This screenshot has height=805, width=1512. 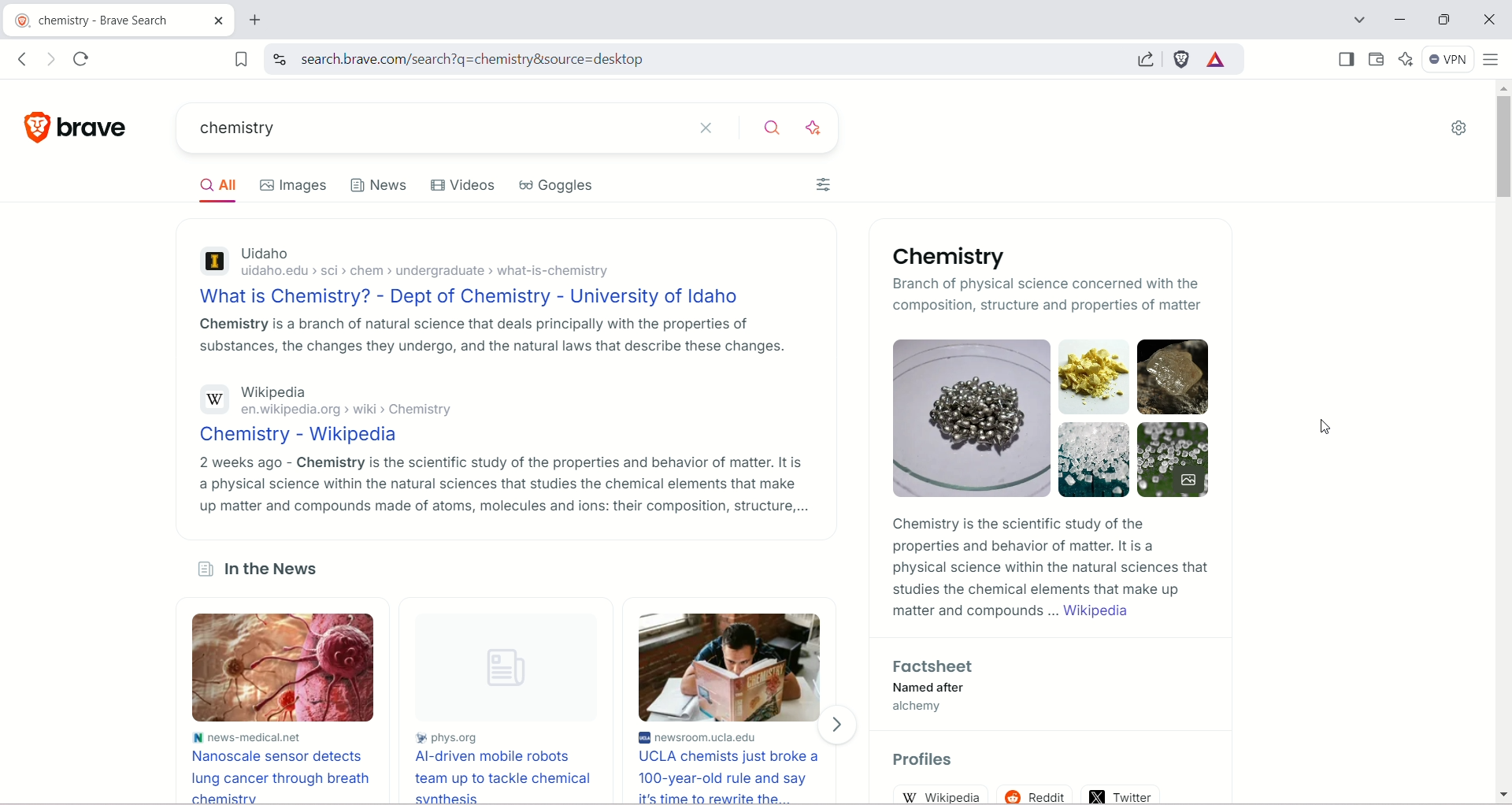 What do you see at coordinates (708, 737) in the screenshot?
I see `newsroom.ucla.edu` at bounding box center [708, 737].